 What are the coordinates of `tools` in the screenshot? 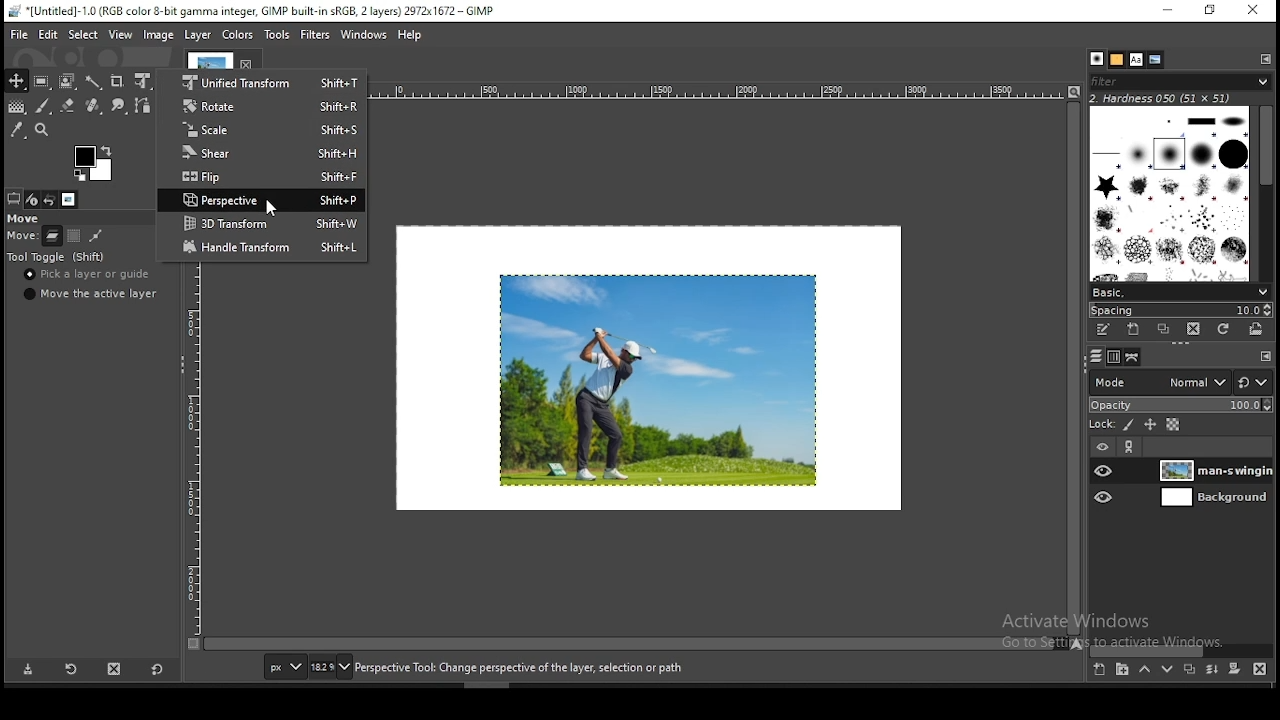 It's located at (277, 32).